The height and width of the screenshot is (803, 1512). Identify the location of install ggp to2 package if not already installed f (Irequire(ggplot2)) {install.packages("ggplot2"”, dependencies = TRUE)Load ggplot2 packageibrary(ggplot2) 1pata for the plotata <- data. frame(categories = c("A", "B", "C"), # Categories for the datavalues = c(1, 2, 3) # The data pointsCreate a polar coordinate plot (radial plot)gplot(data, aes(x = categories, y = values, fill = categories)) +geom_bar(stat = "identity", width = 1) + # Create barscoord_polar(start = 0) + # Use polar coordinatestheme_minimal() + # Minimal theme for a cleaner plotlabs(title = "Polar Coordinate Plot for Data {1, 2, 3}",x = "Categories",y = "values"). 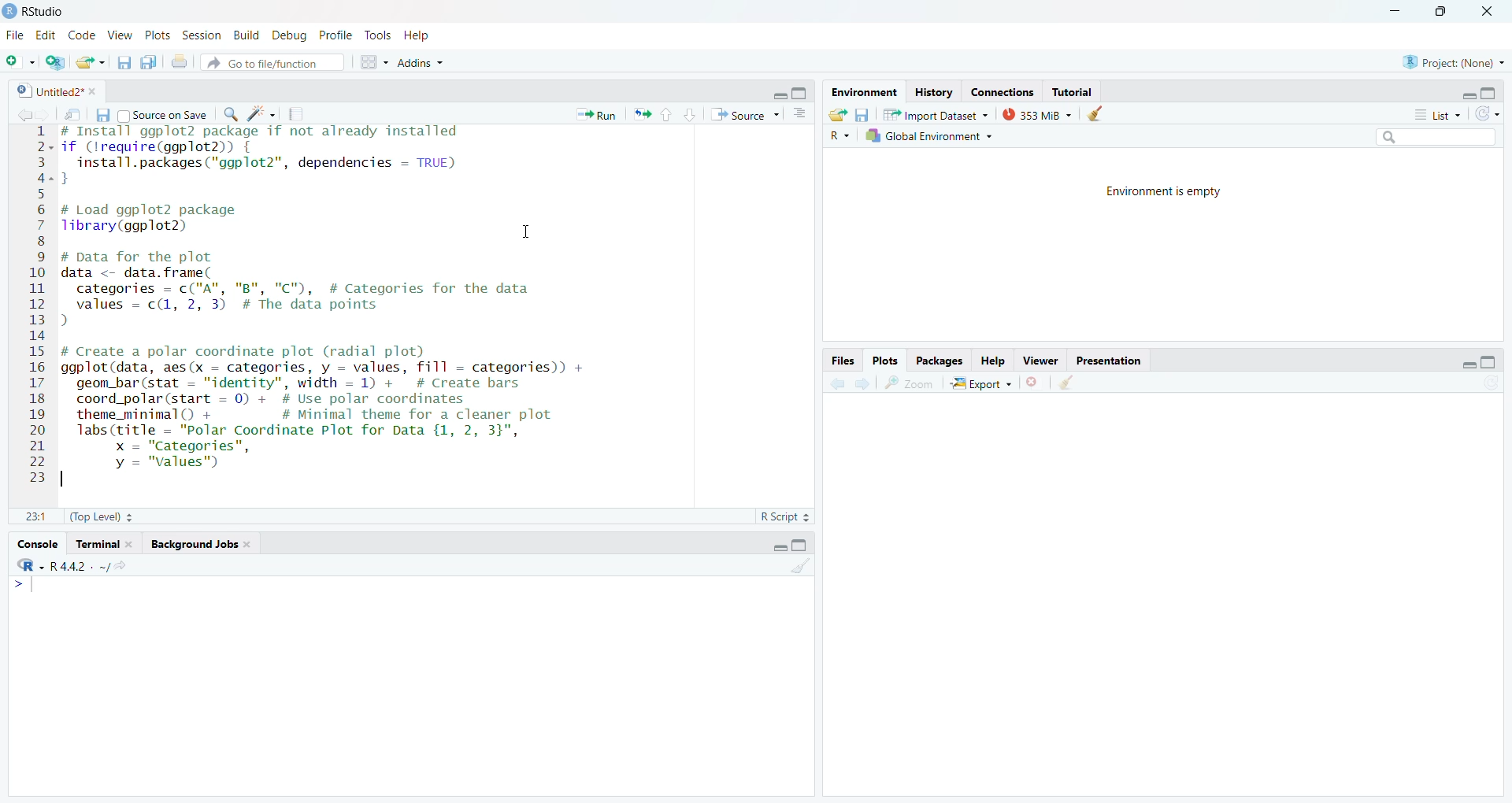
(361, 297).